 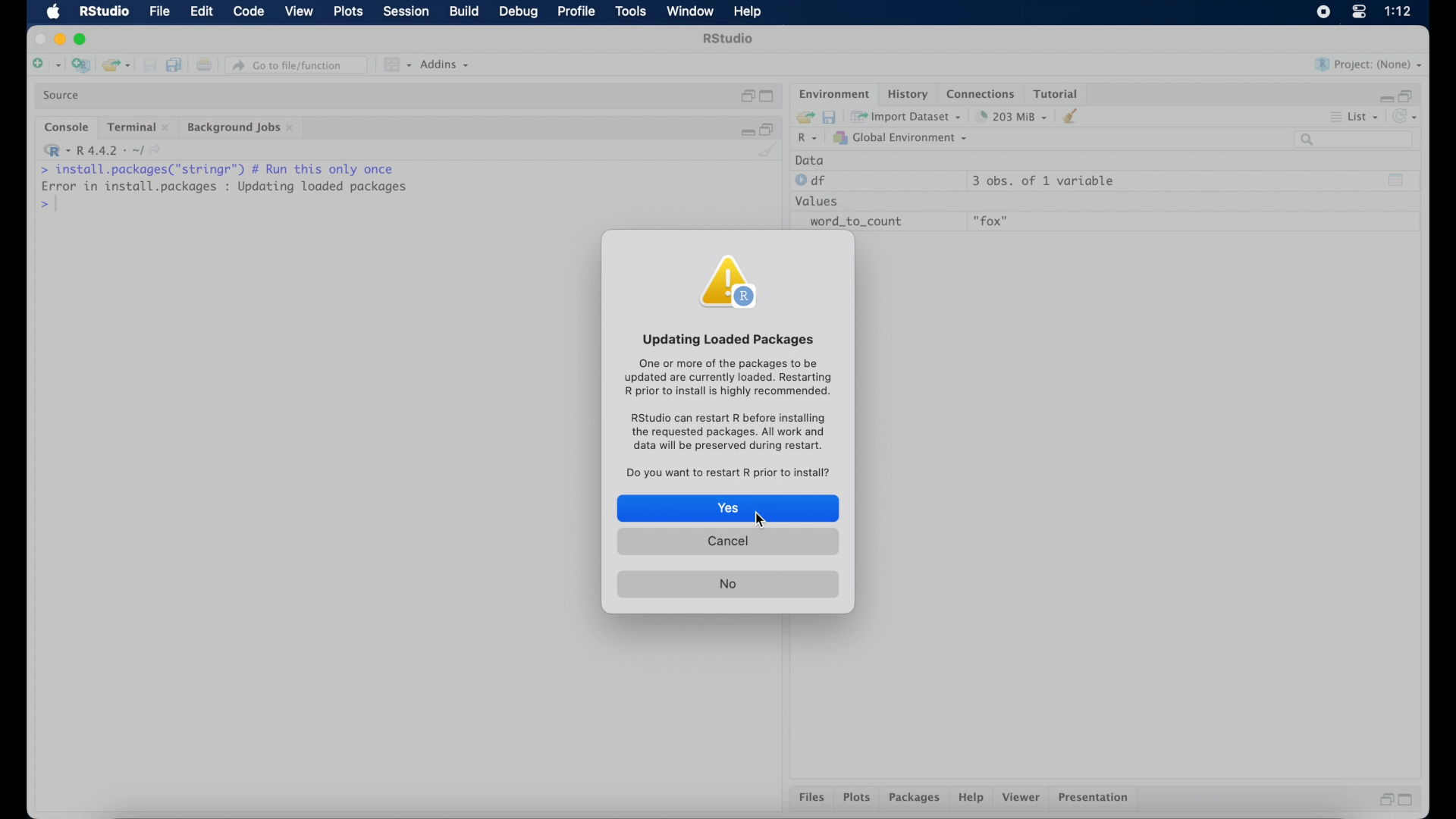 I want to click on clear console, so click(x=769, y=151).